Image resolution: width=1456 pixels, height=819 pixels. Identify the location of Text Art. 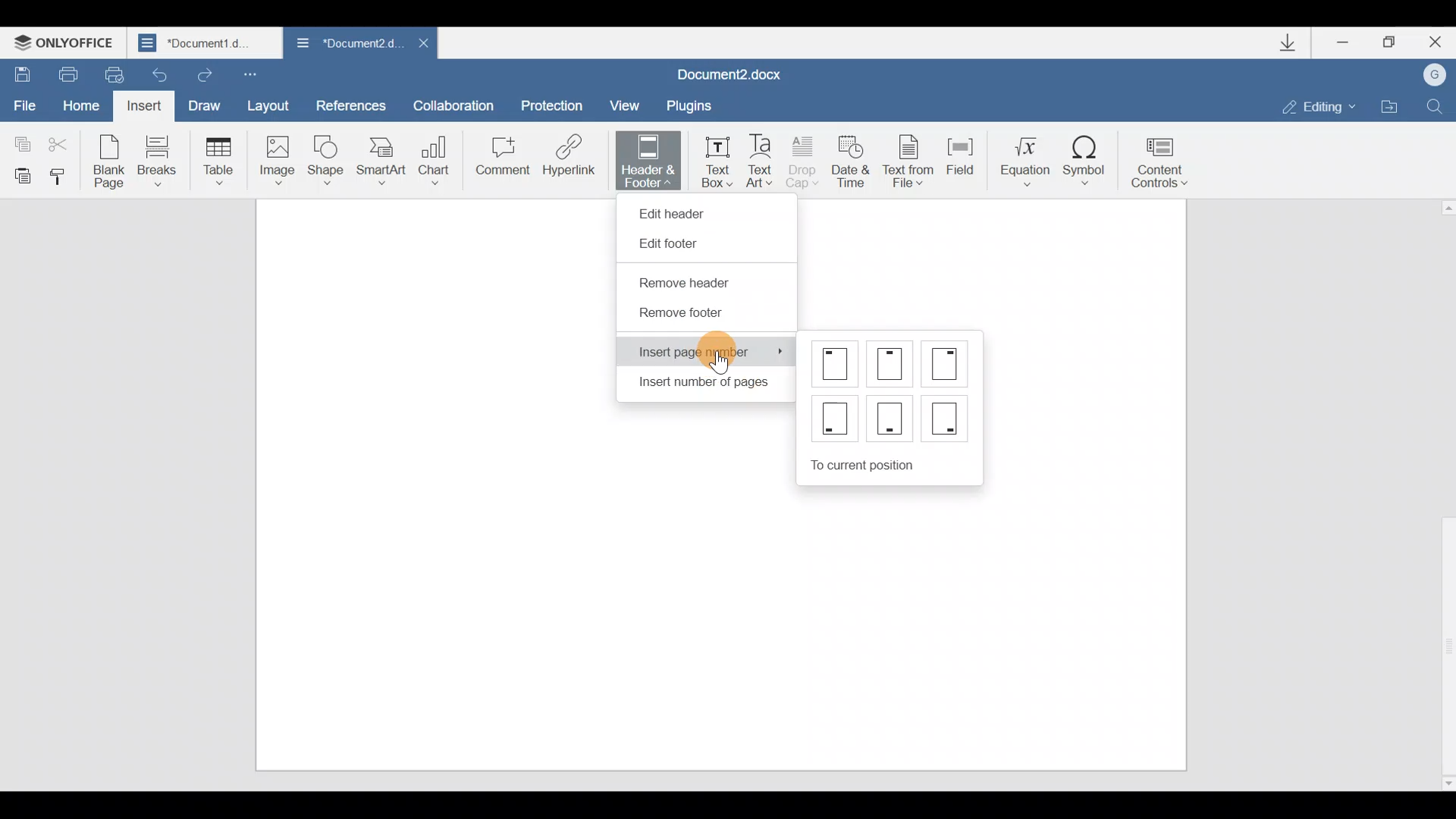
(764, 158).